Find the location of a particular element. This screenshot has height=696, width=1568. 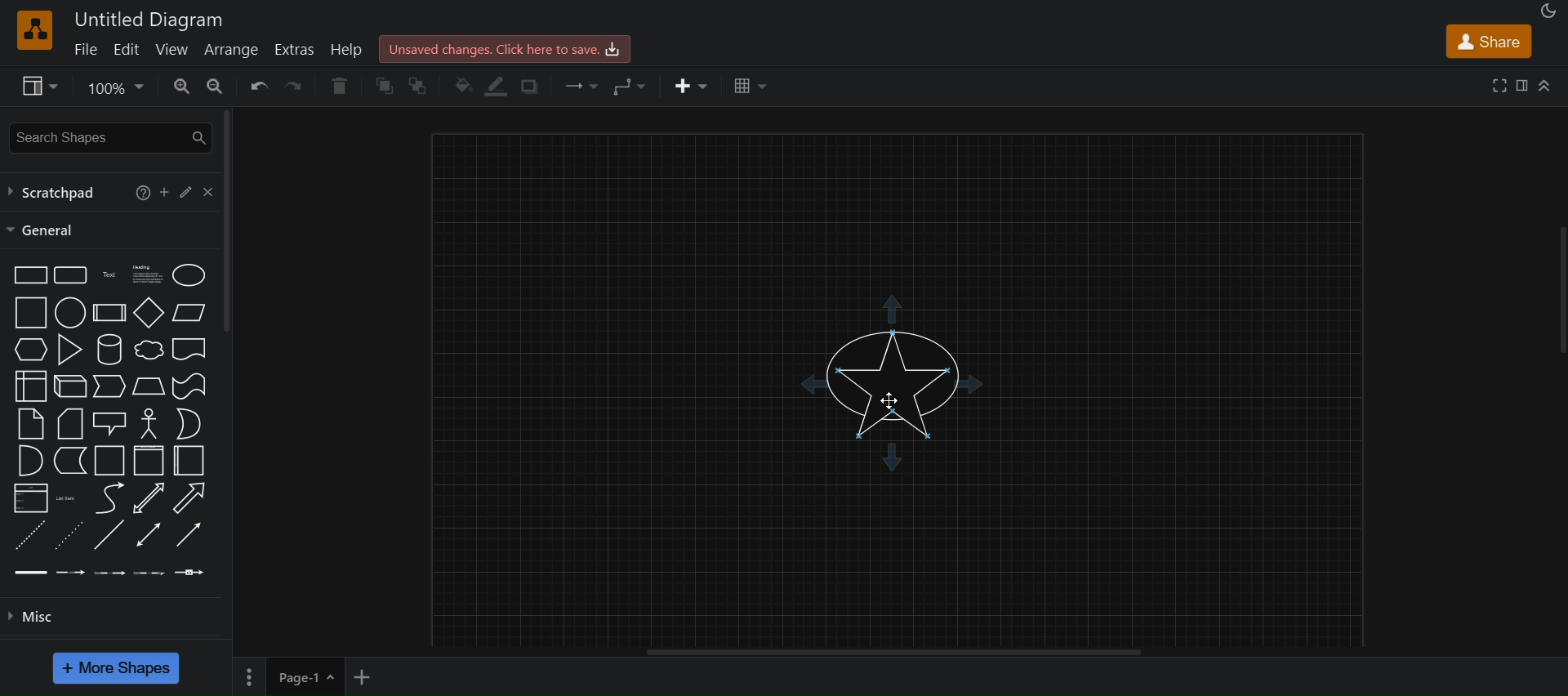

general is located at coordinates (45, 231).